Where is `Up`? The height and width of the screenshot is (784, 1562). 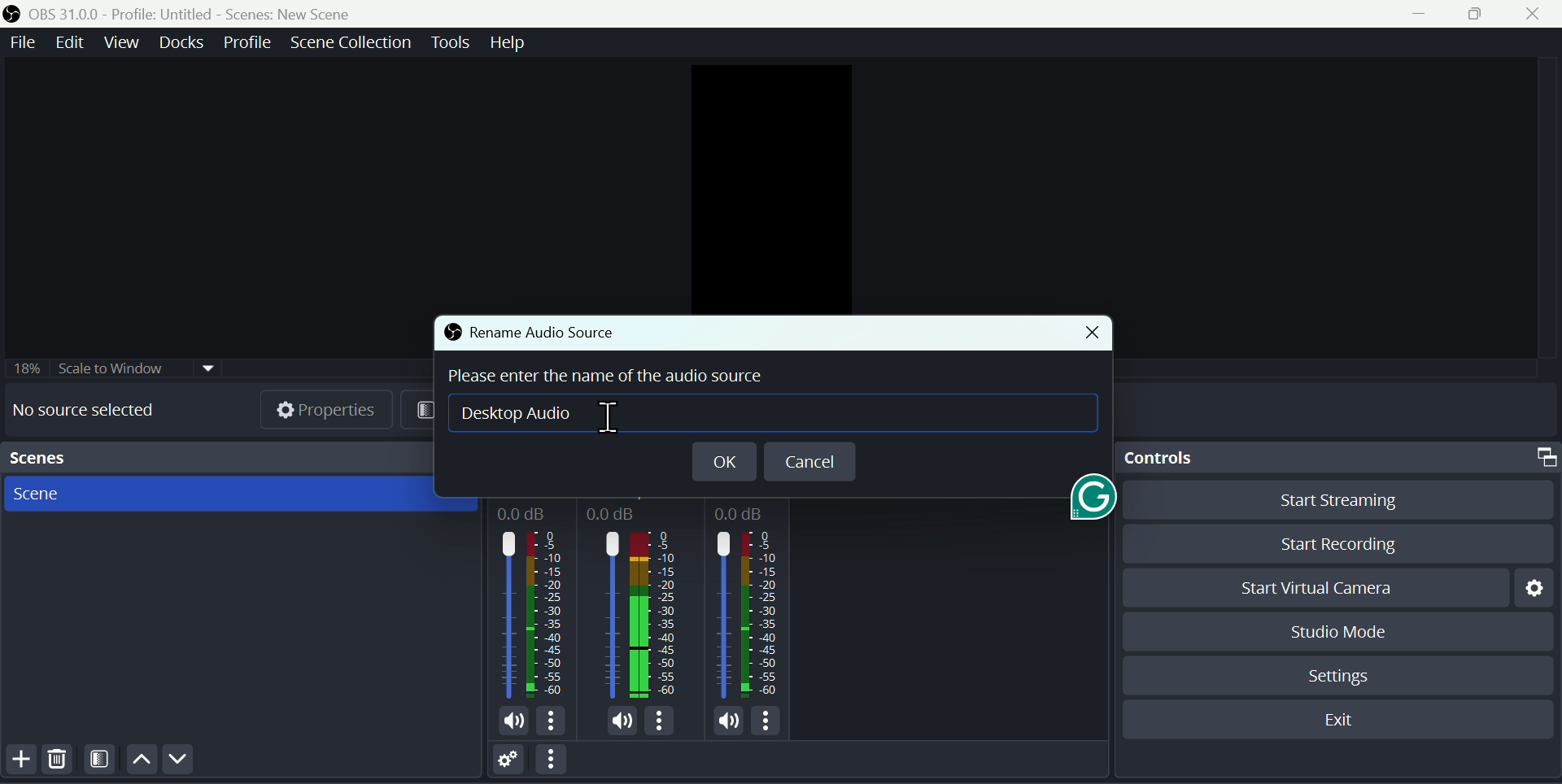
Up is located at coordinates (141, 761).